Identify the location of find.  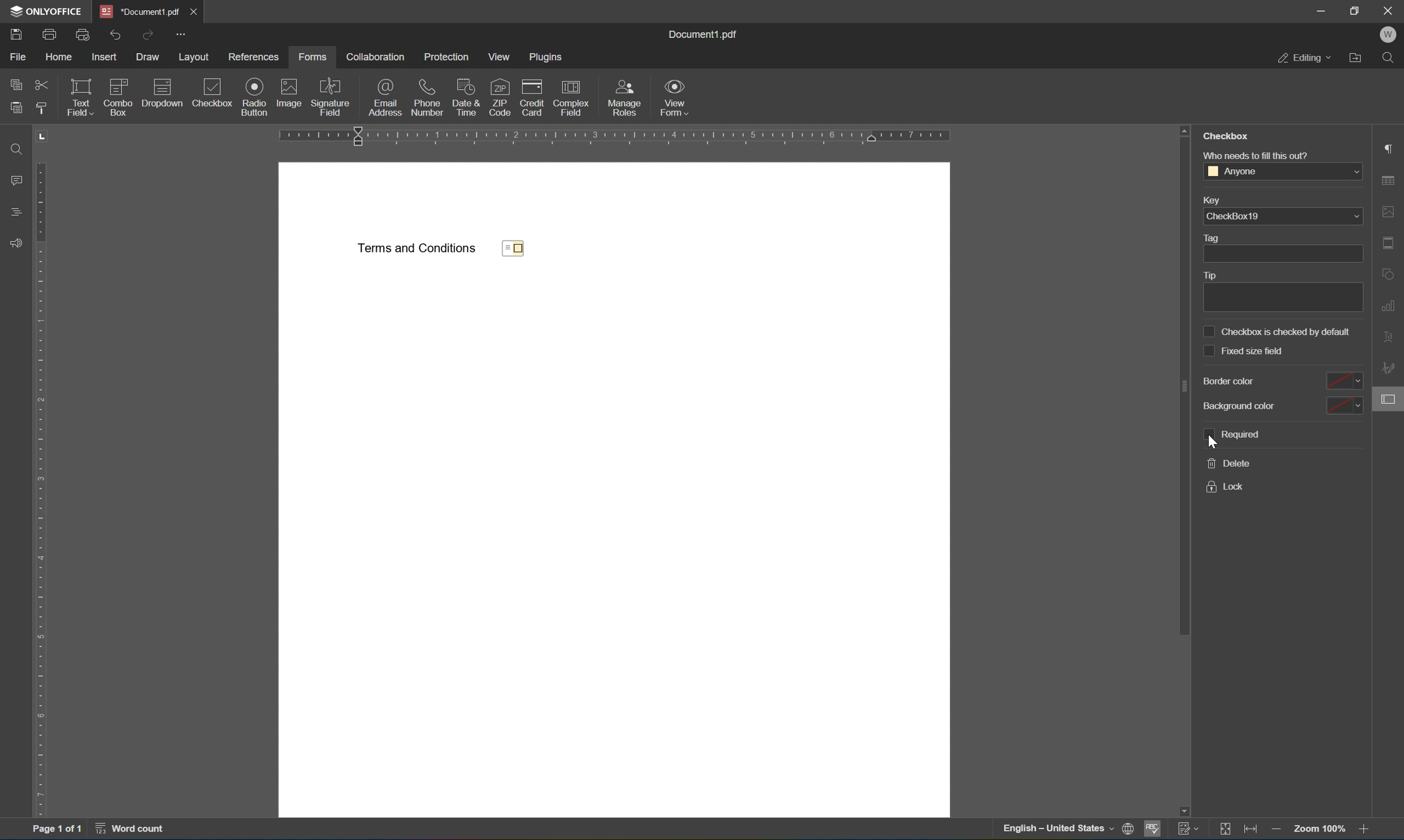
(15, 148).